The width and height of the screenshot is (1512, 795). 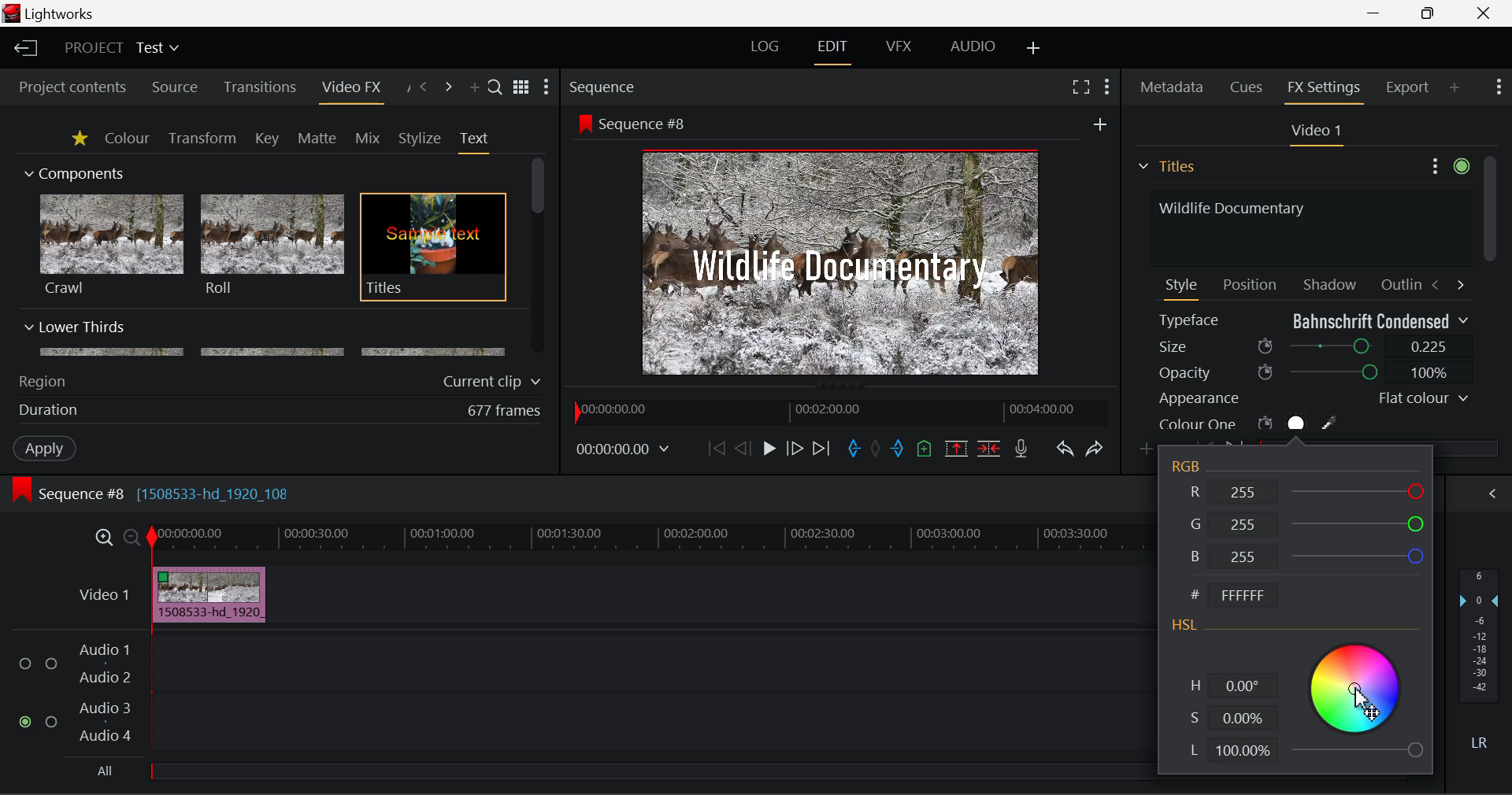 I want to click on Titles, so click(x=433, y=248).